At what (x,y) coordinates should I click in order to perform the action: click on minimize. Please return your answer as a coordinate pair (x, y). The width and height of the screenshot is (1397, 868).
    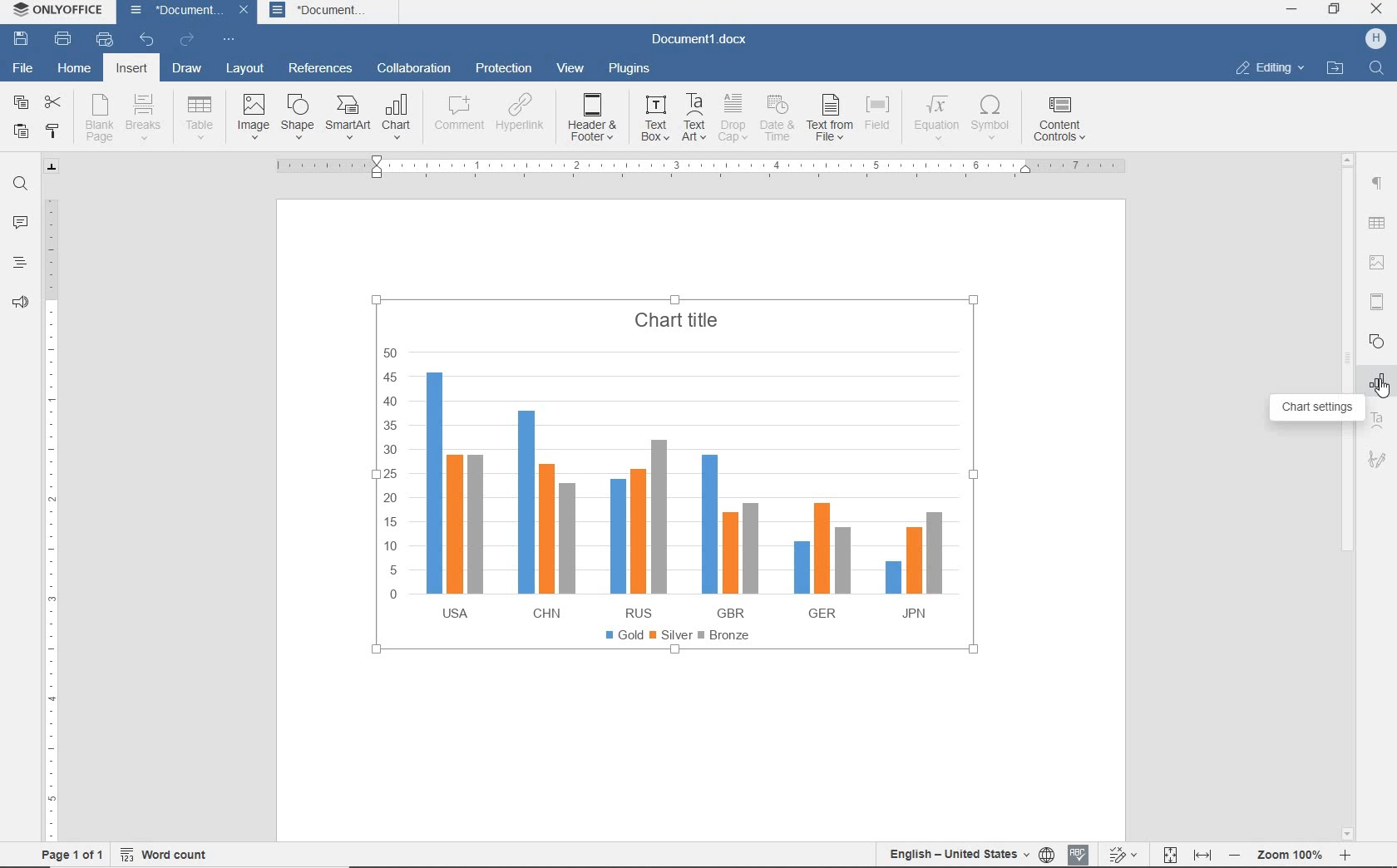
    Looking at the image, I should click on (1292, 9).